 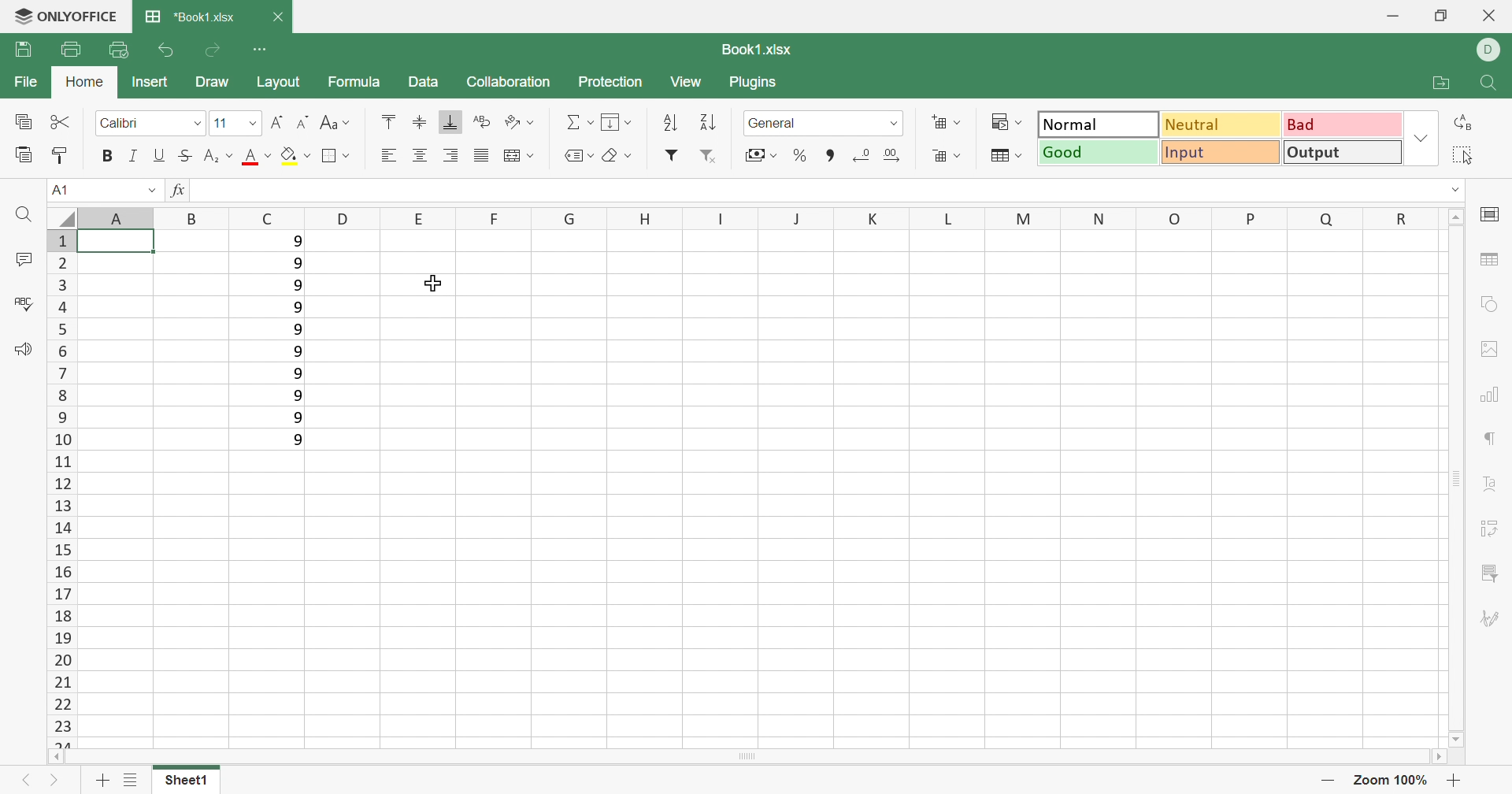 What do you see at coordinates (61, 488) in the screenshot?
I see `Row numbers` at bounding box center [61, 488].